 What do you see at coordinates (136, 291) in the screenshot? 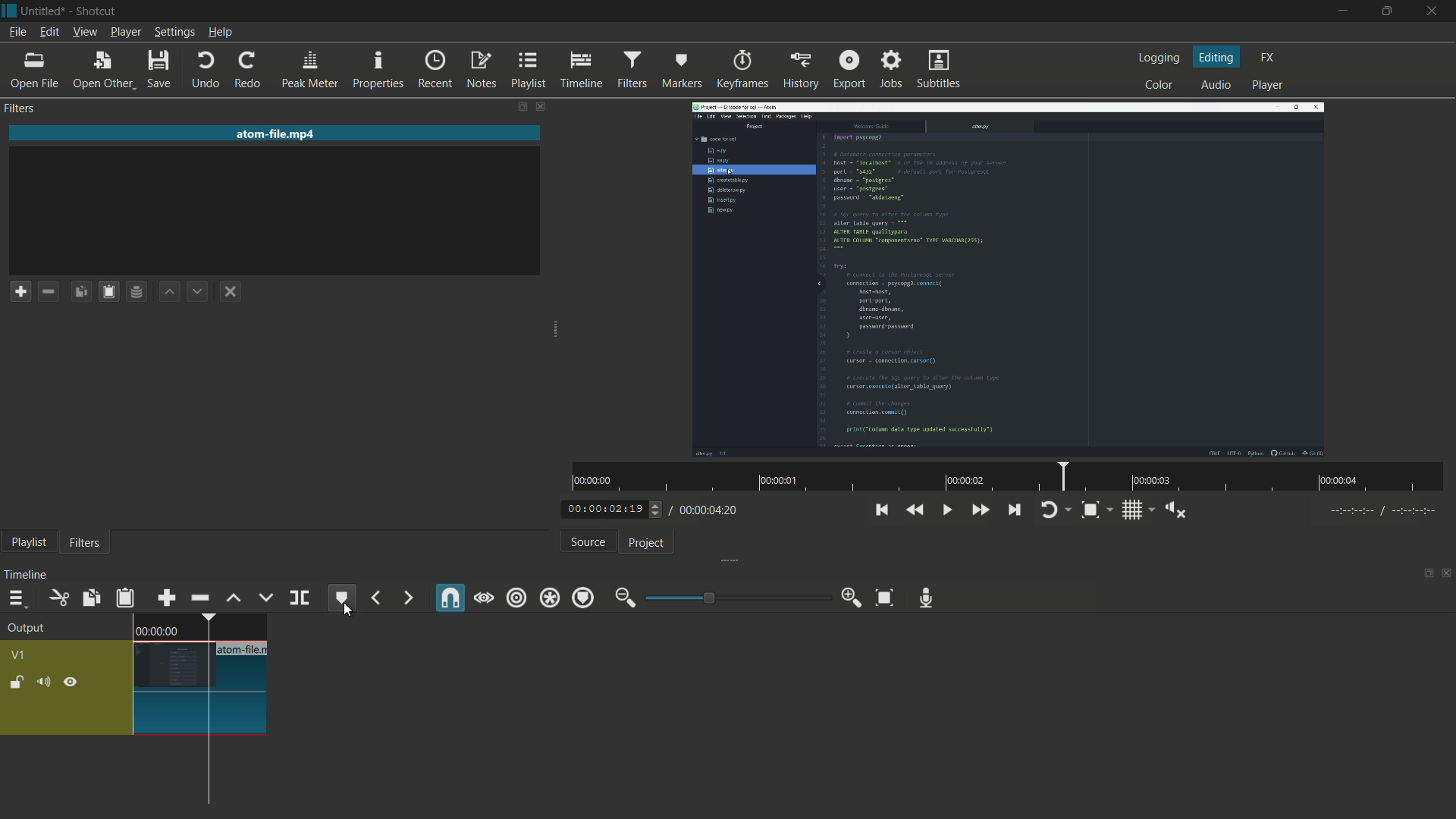
I see `save filter set` at bounding box center [136, 291].